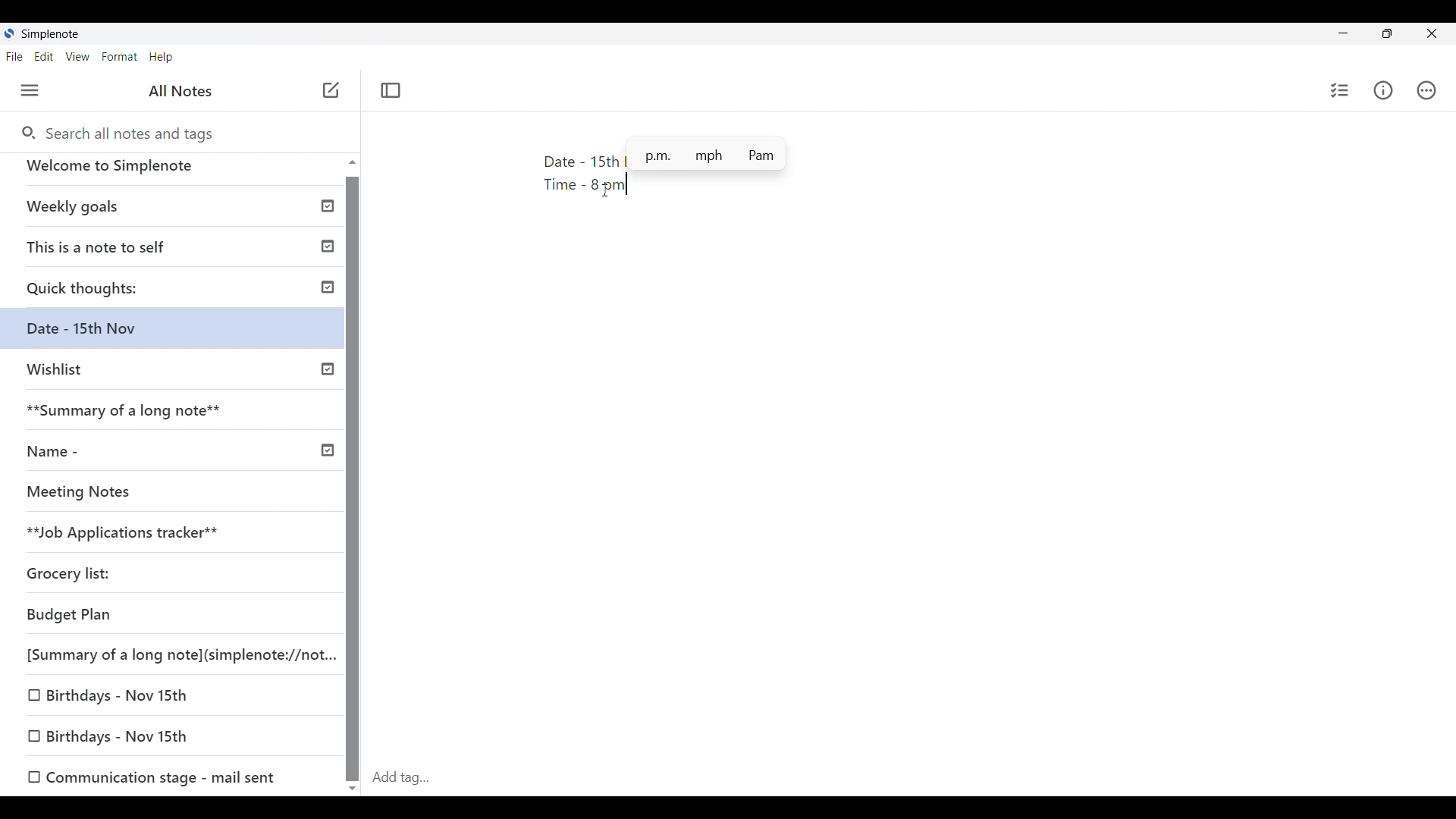 The width and height of the screenshot is (1456, 819). I want to click on Unpublished note, so click(168, 535).